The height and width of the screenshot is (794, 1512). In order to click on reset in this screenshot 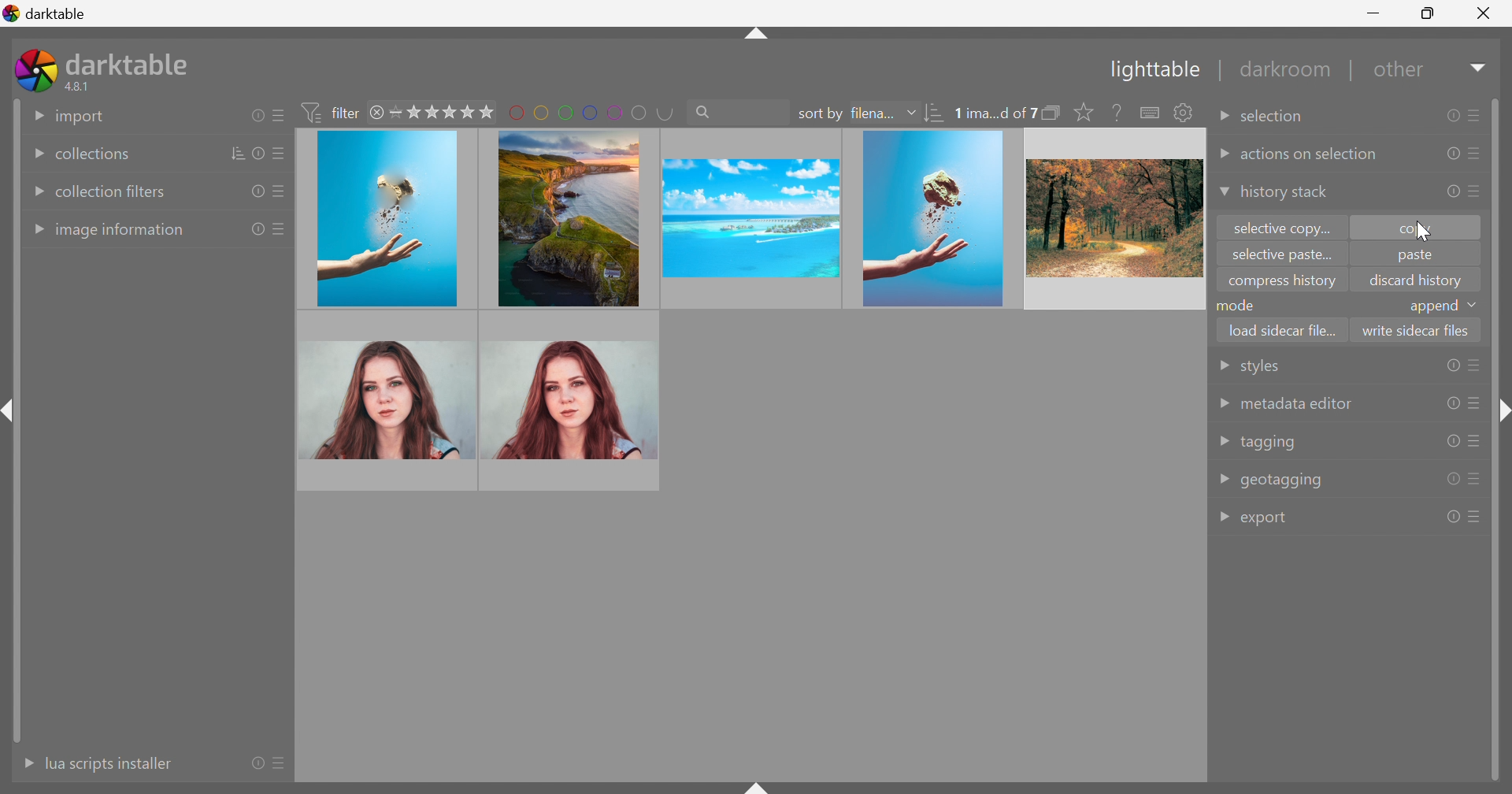, I will do `click(261, 153)`.